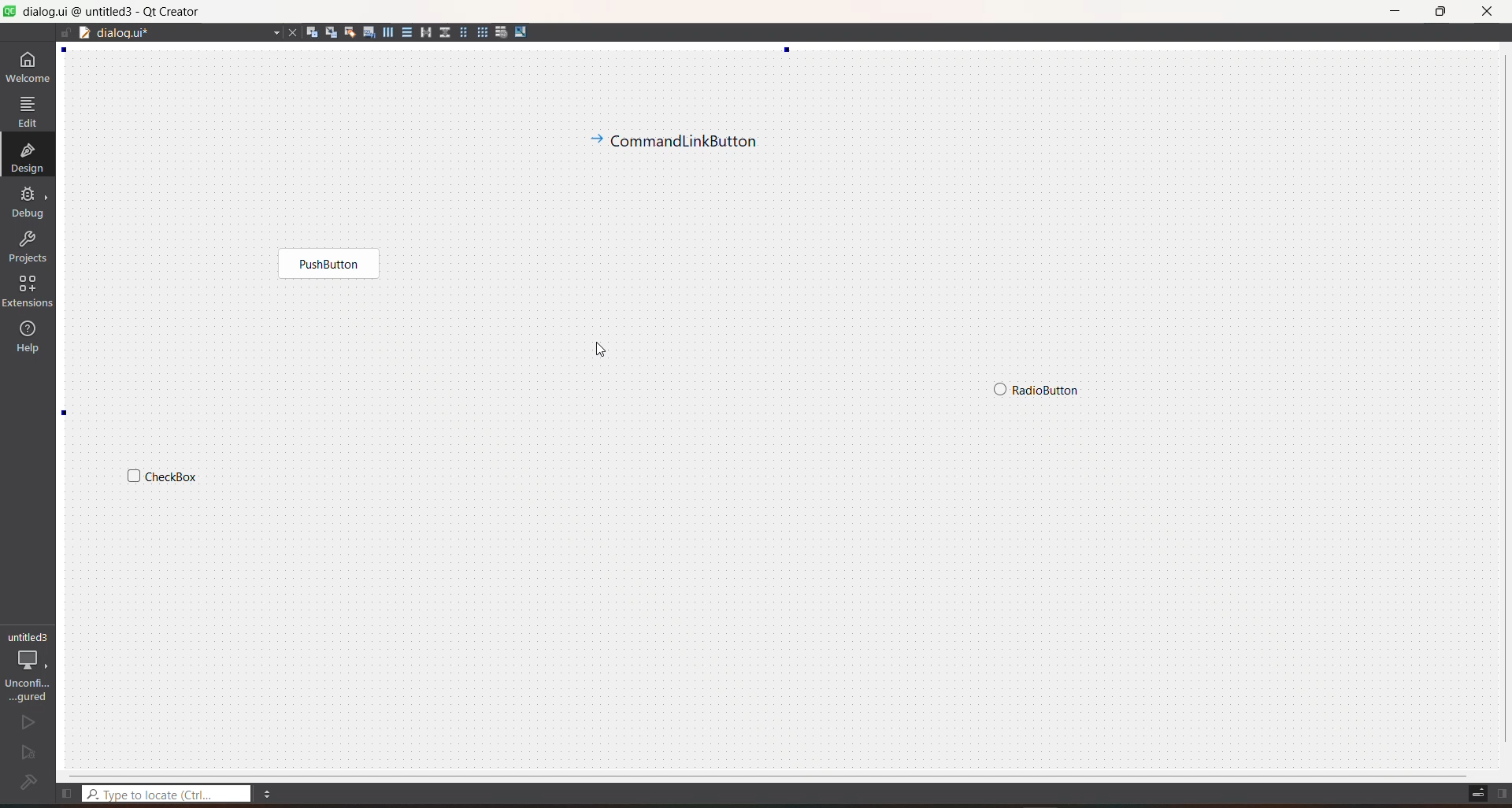 The image size is (1512, 808). What do you see at coordinates (169, 791) in the screenshot?
I see `type to locate` at bounding box center [169, 791].